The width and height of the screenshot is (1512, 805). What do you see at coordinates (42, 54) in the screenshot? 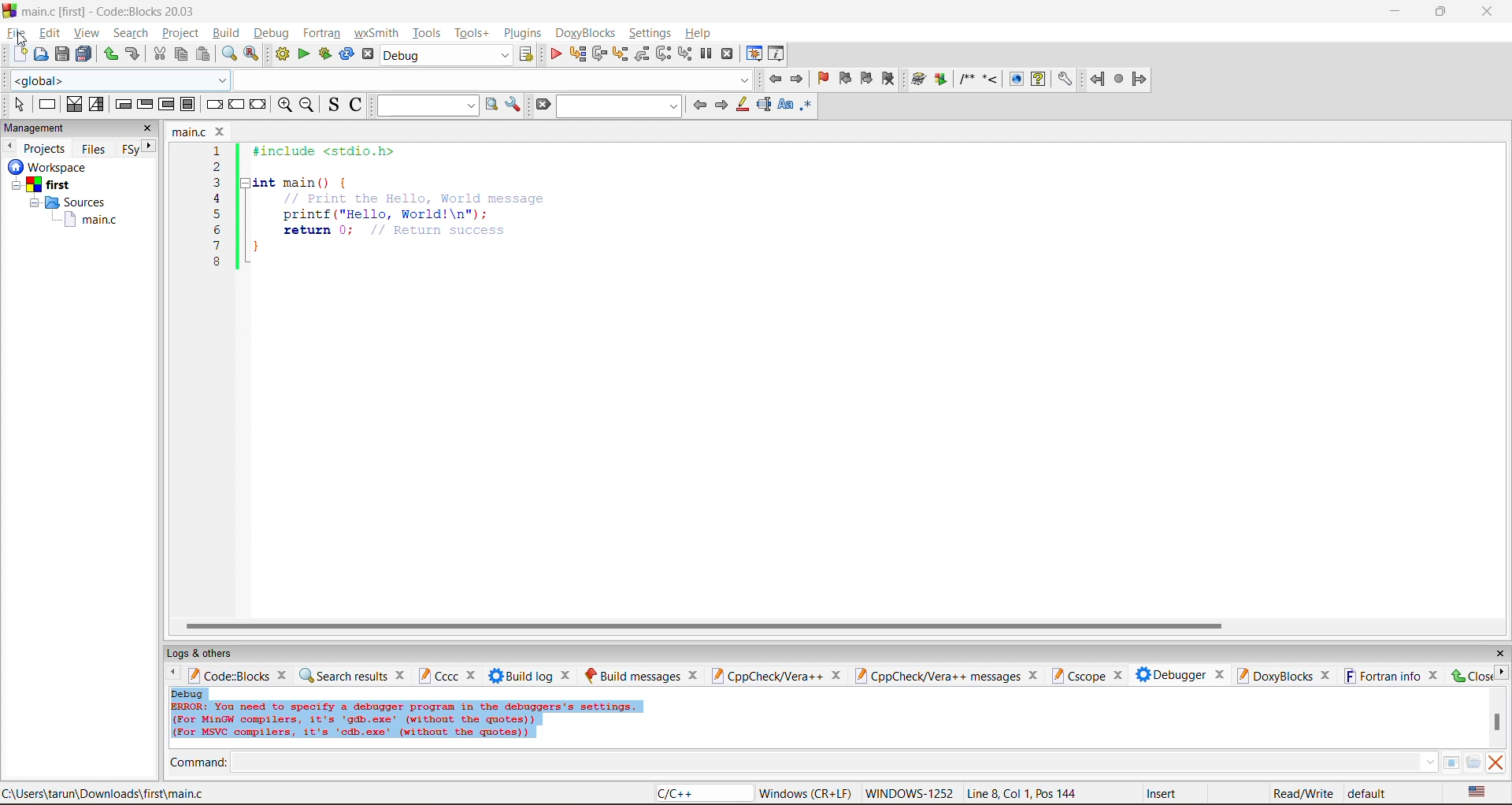
I see `open` at bounding box center [42, 54].